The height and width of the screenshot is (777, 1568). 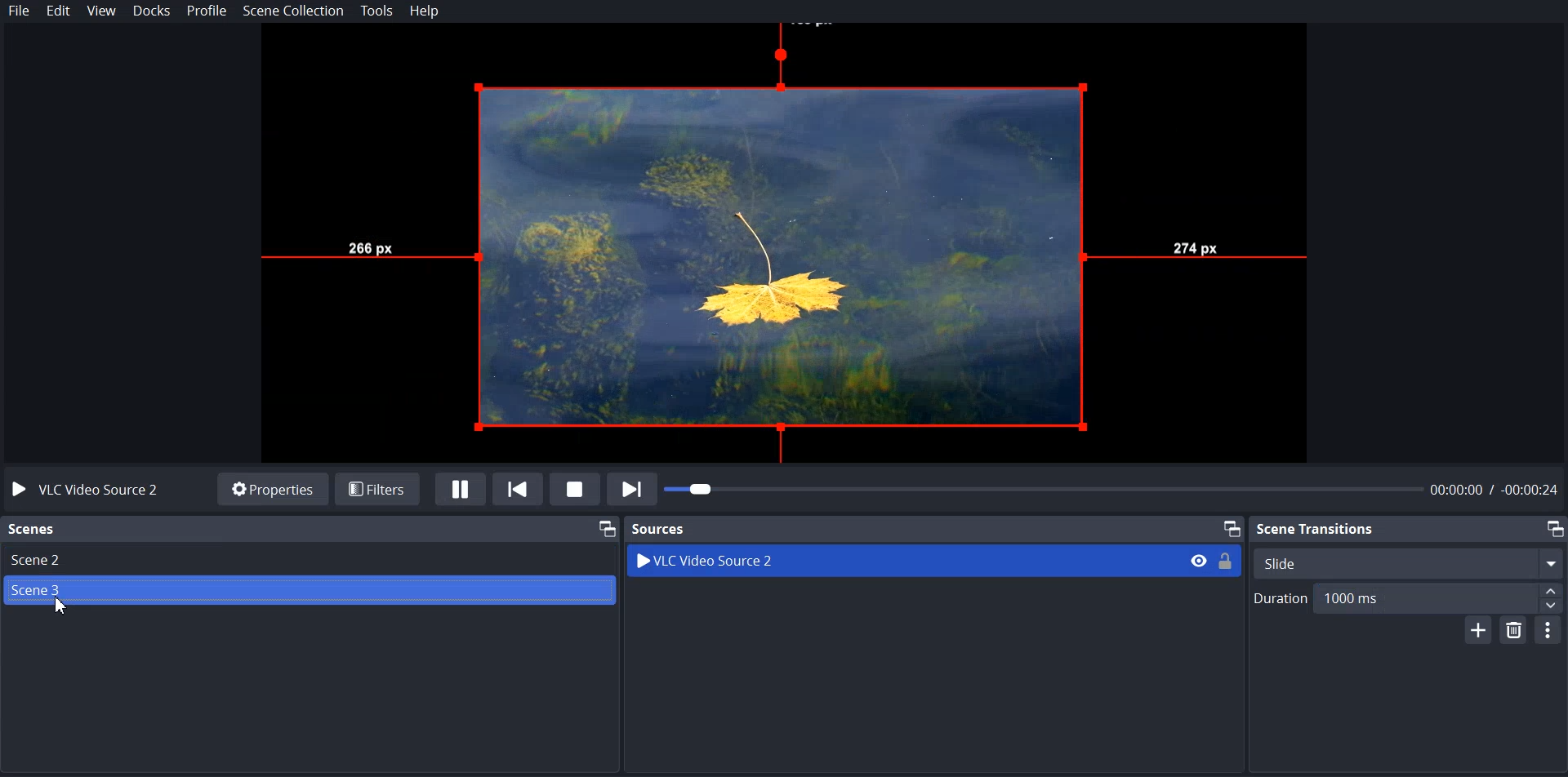 What do you see at coordinates (58, 11) in the screenshot?
I see `Edit` at bounding box center [58, 11].